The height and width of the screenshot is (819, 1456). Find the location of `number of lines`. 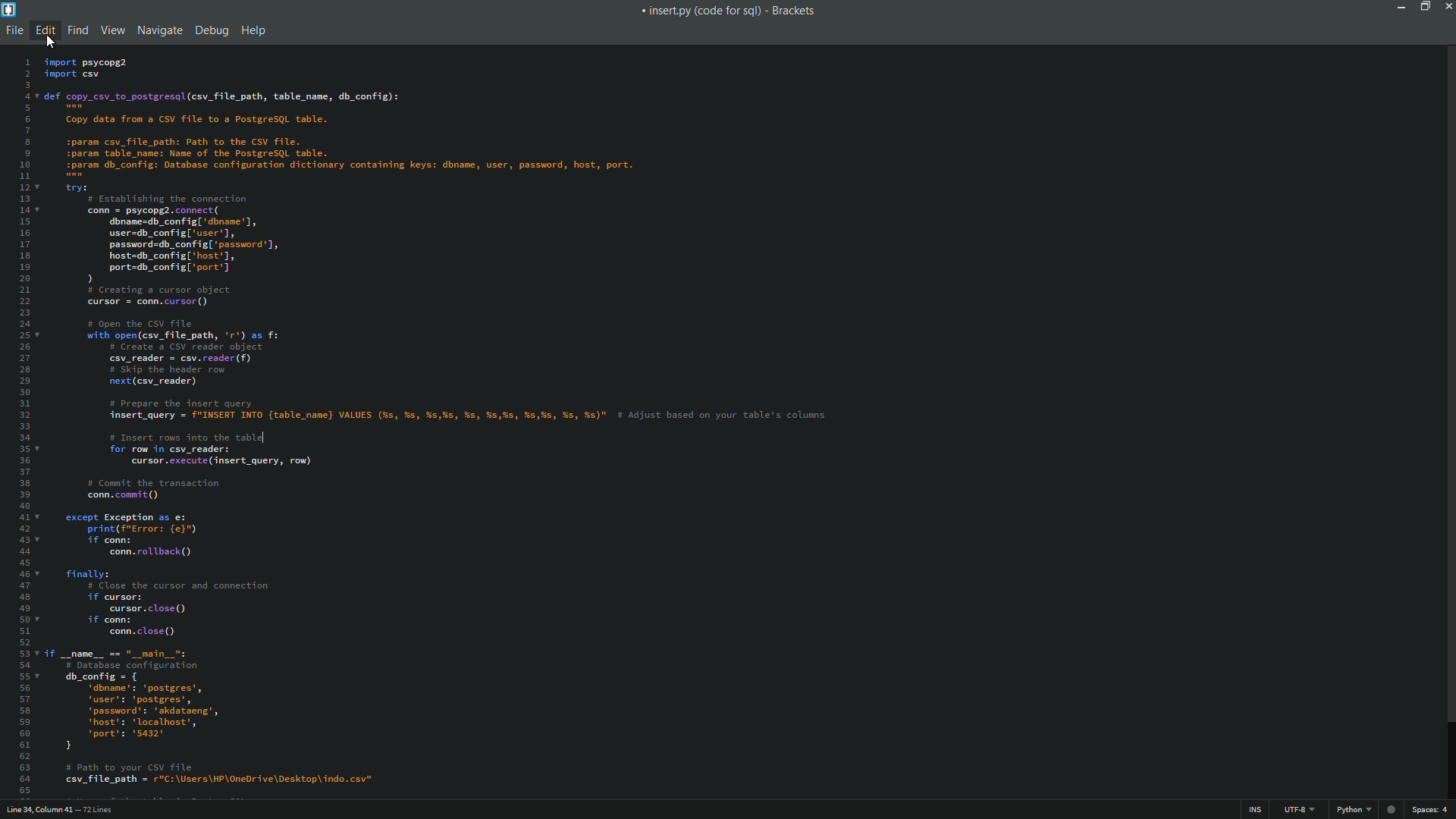

number of lines is located at coordinates (98, 811).